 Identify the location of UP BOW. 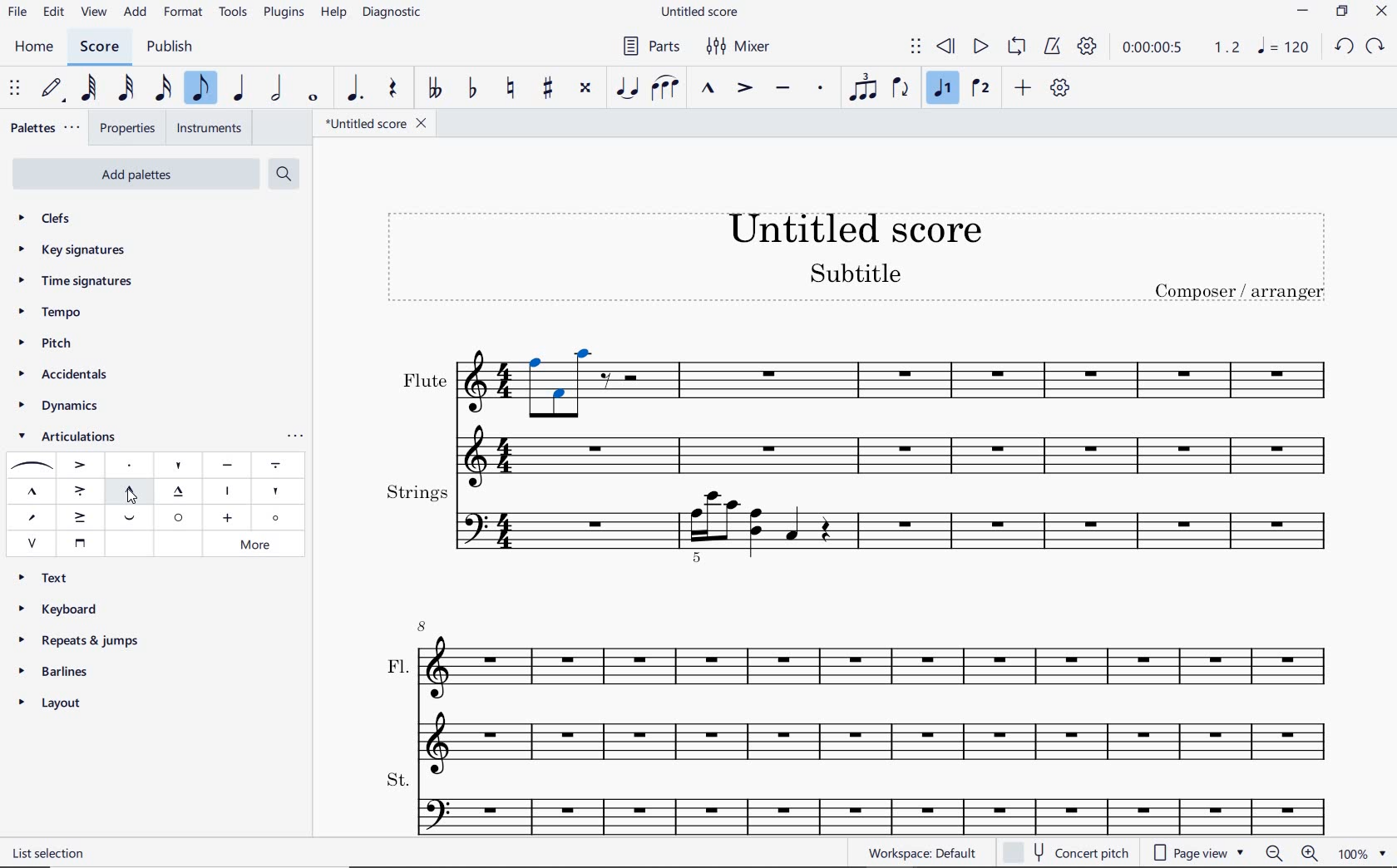
(32, 542).